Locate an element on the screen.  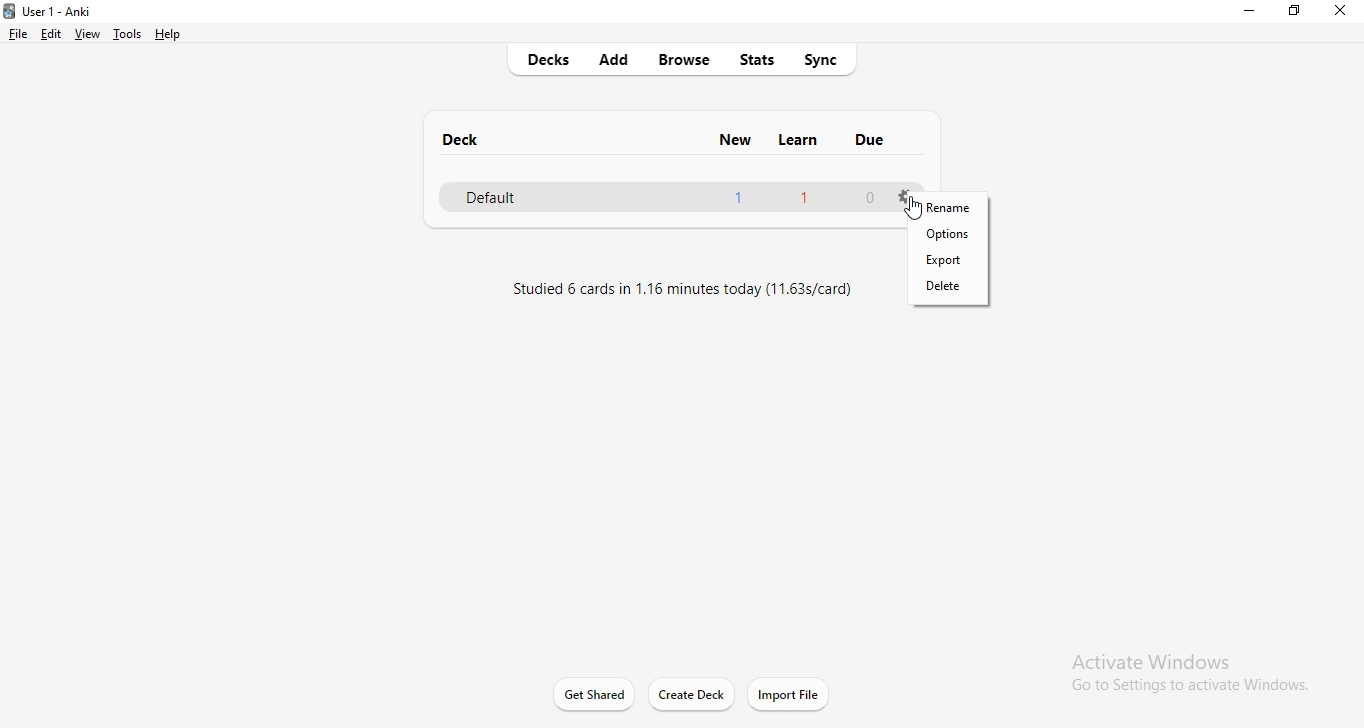
text 1 is located at coordinates (677, 288).